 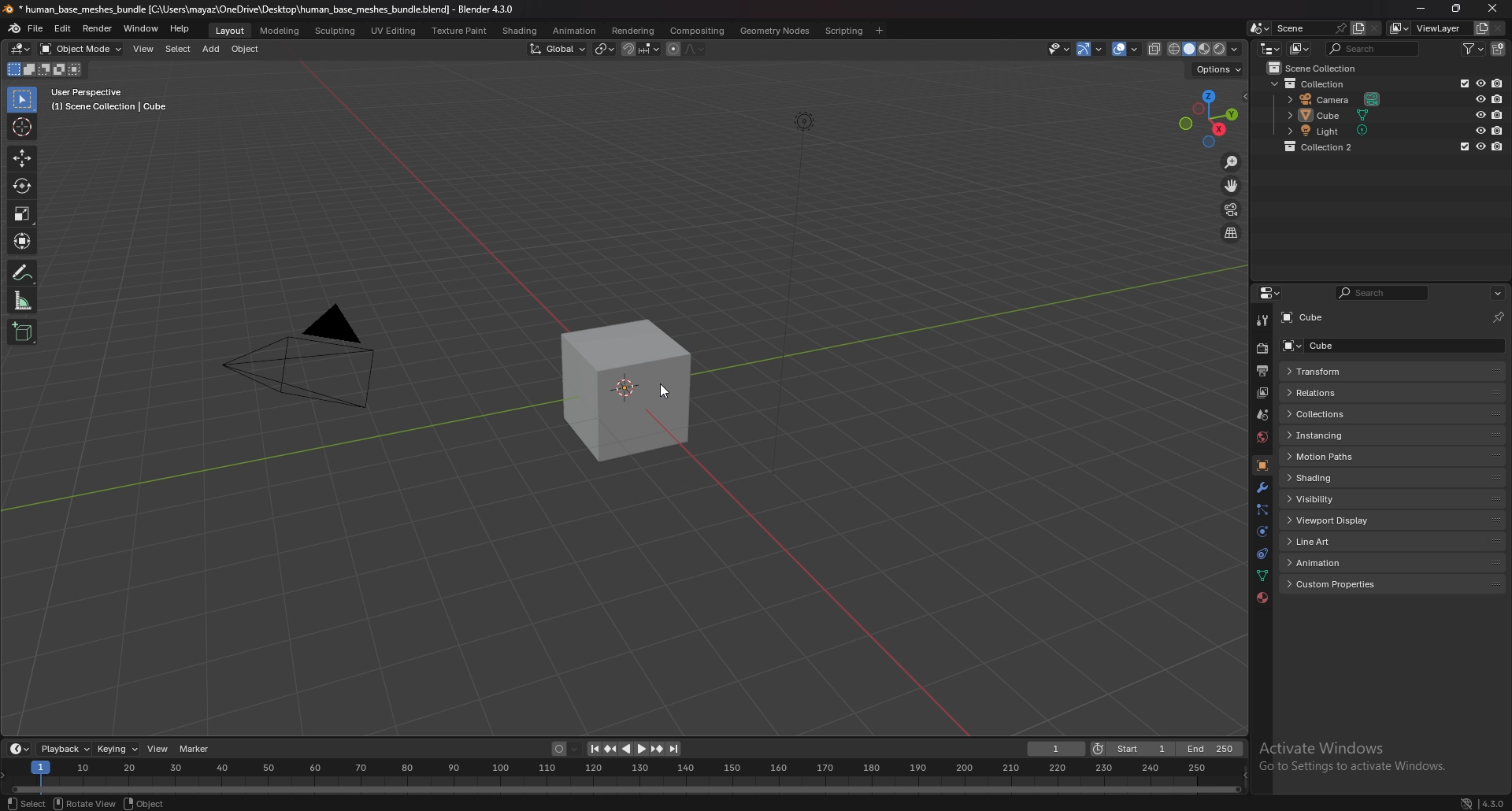 I want to click on file, so click(x=36, y=29).